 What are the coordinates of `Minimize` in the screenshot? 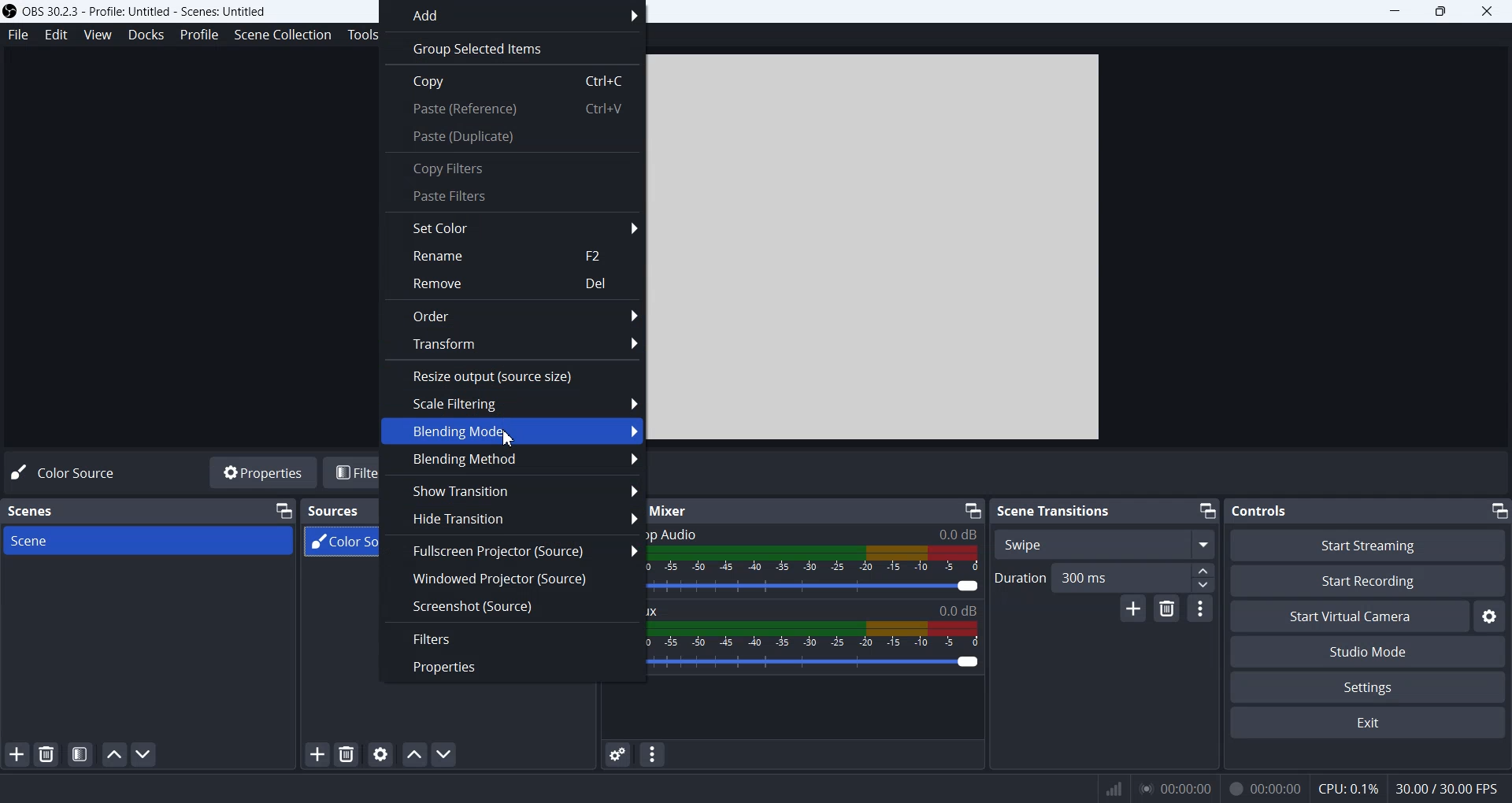 It's located at (972, 509).